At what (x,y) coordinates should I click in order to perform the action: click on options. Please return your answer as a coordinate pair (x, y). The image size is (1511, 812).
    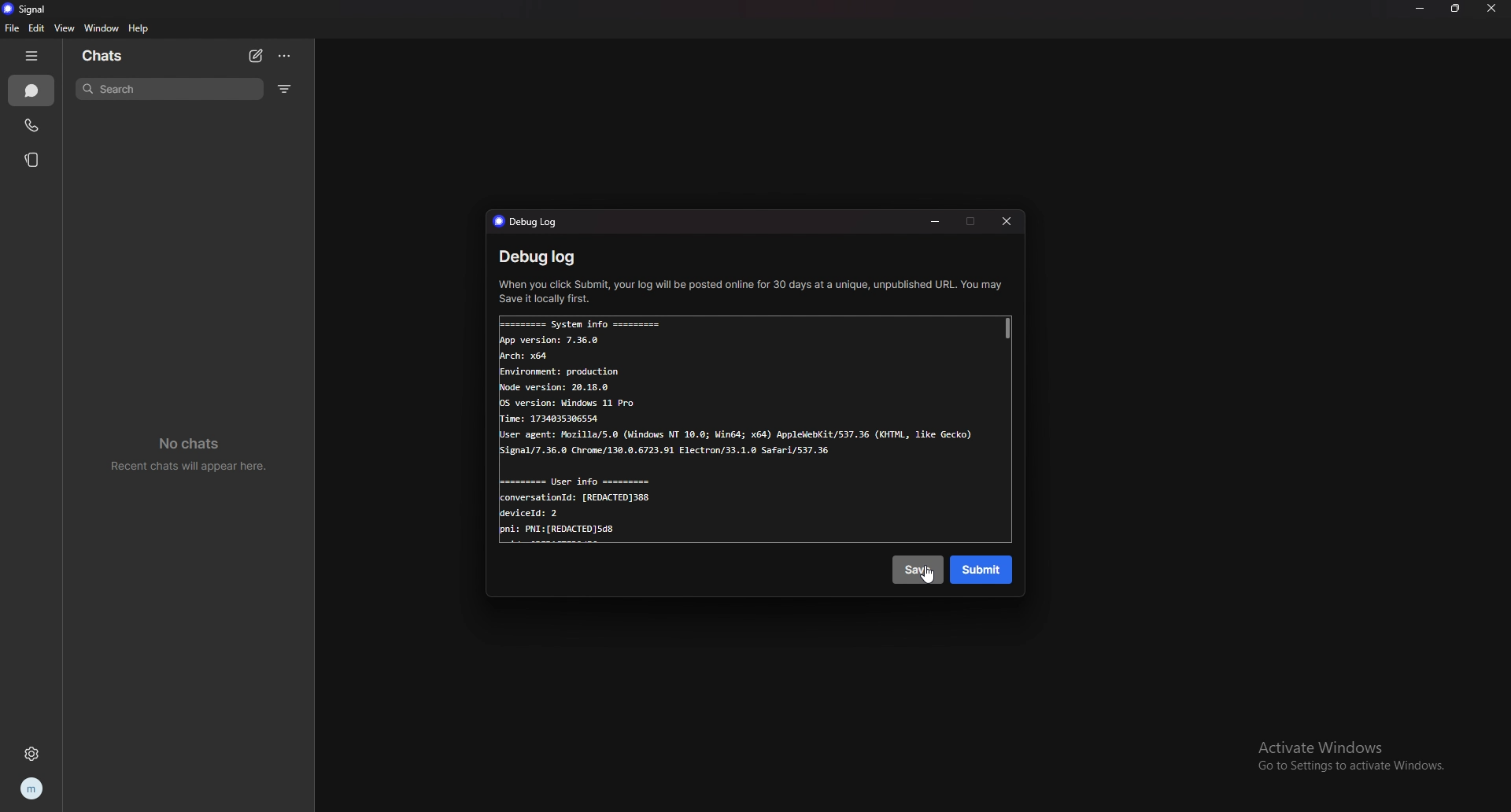
    Looking at the image, I should click on (284, 56).